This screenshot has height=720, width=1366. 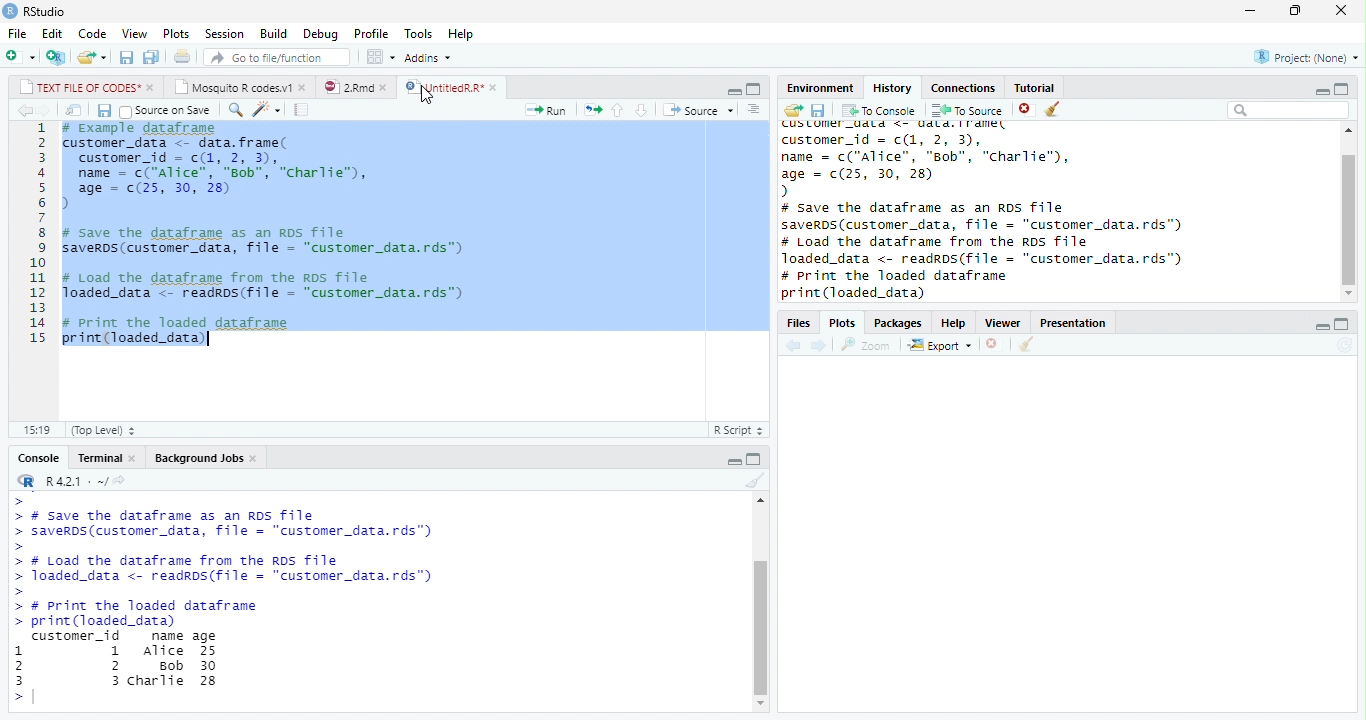 I want to click on To Source, so click(x=966, y=110).